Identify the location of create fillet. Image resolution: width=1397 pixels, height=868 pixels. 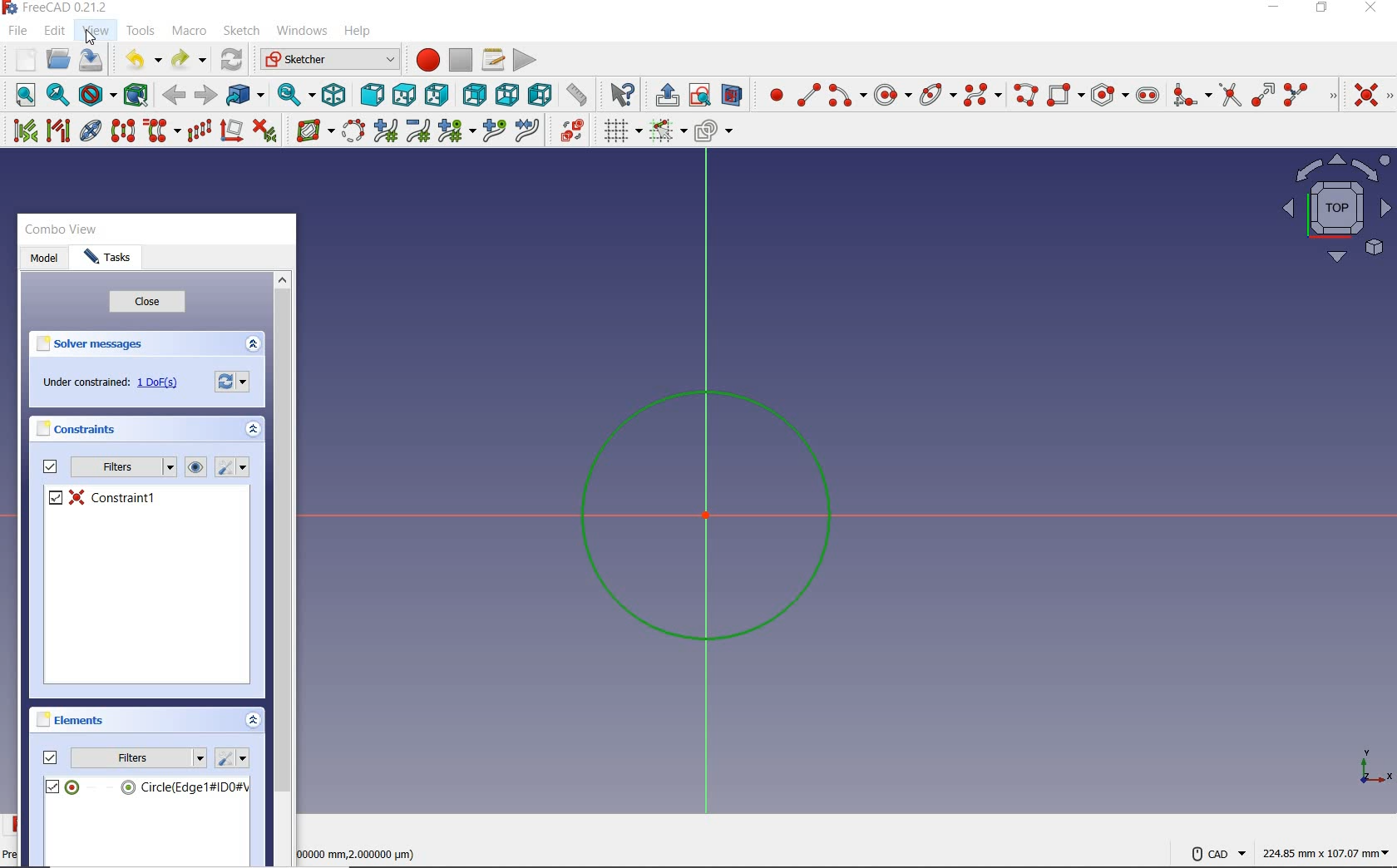
(1190, 96).